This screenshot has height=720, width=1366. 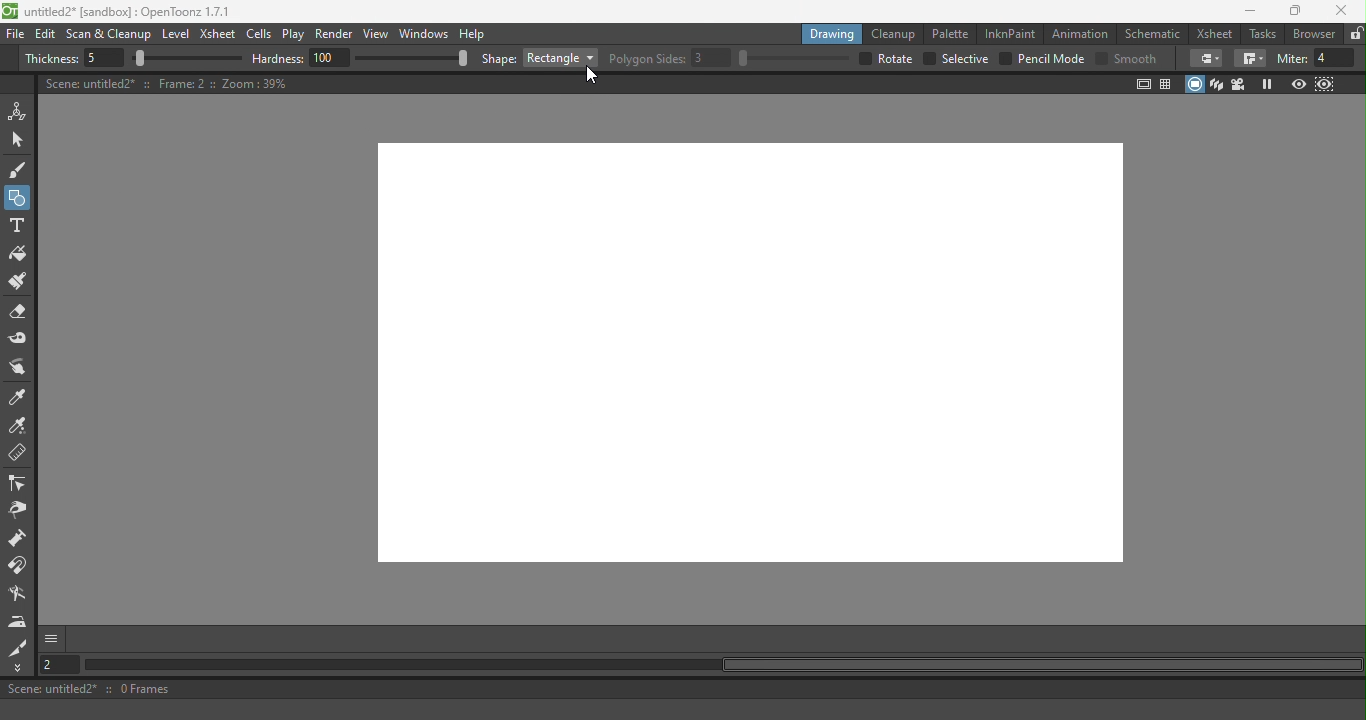 What do you see at coordinates (1009, 32) in the screenshot?
I see `InknPaint` at bounding box center [1009, 32].